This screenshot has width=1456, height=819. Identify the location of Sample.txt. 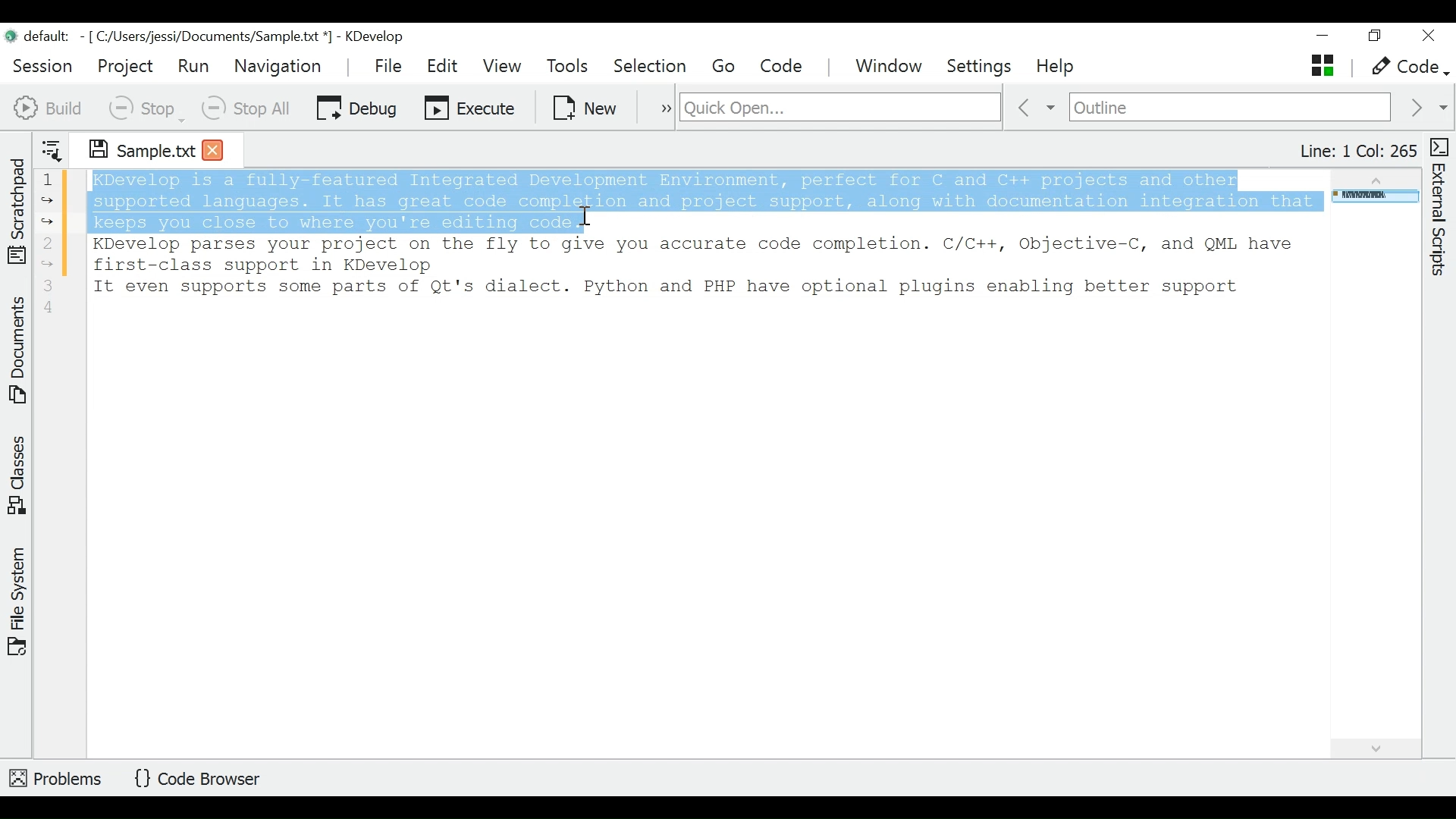
(131, 147).